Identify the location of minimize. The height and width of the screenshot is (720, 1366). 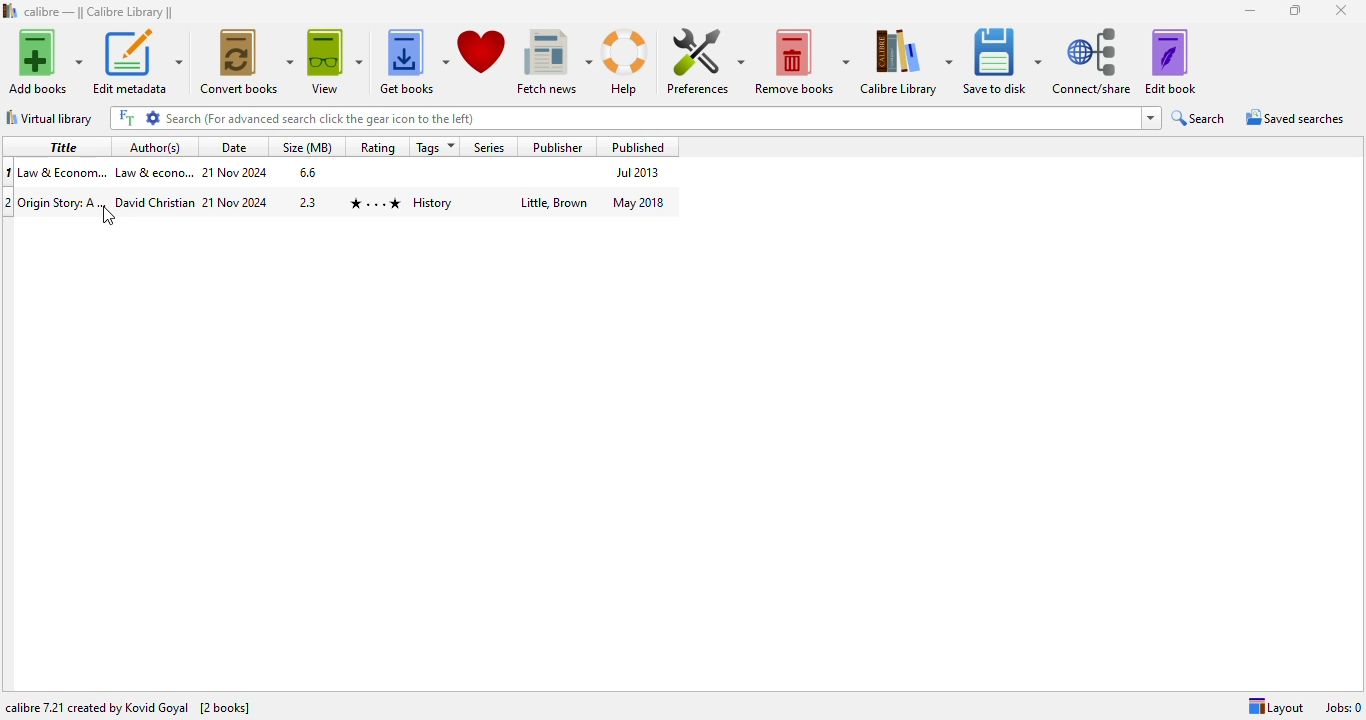
(1249, 10).